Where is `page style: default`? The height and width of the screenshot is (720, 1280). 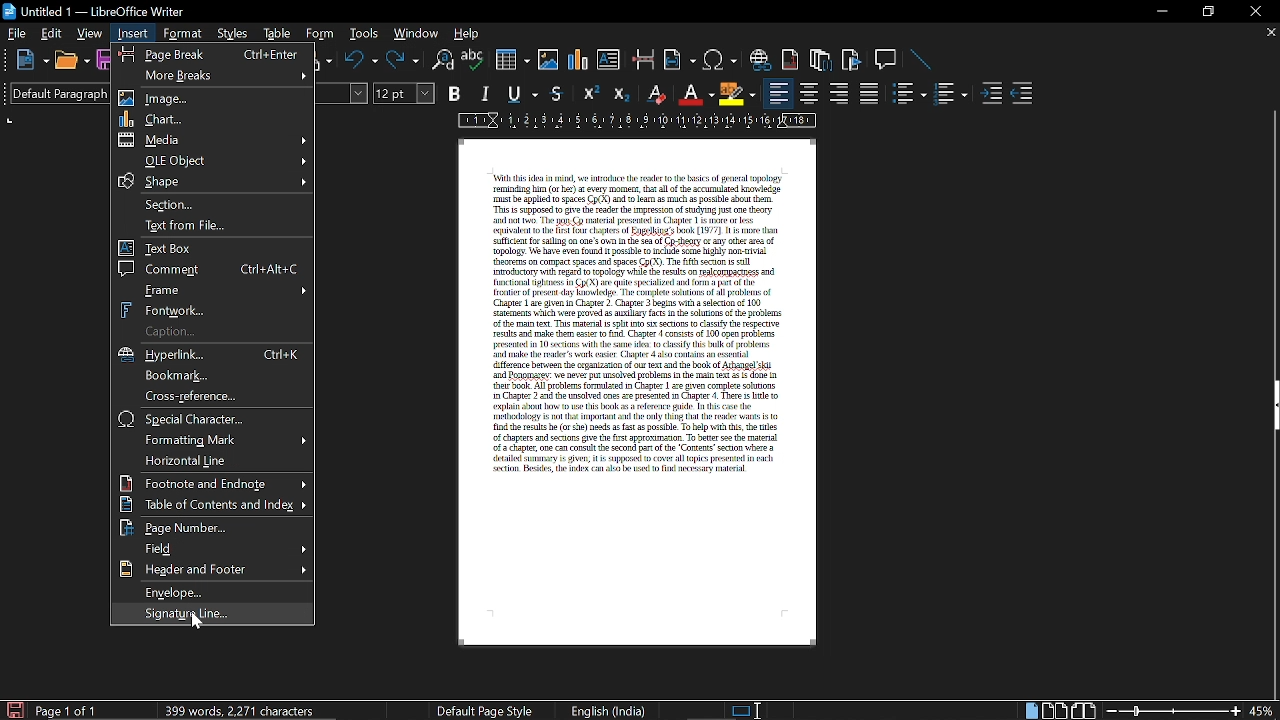 page style: default is located at coordinates (488, 712).